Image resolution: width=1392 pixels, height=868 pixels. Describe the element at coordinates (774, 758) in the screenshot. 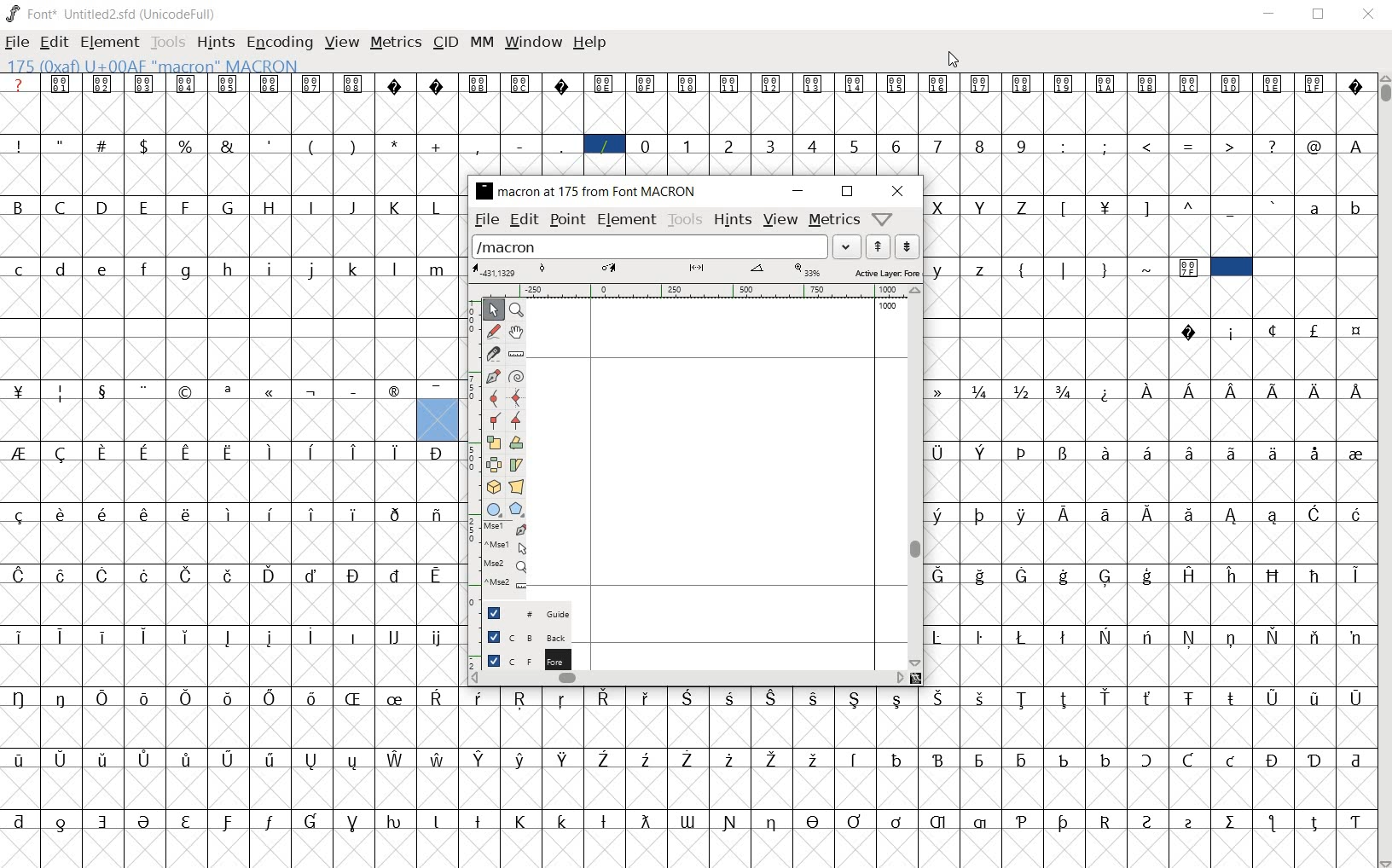

I see `Symbol` at that location.